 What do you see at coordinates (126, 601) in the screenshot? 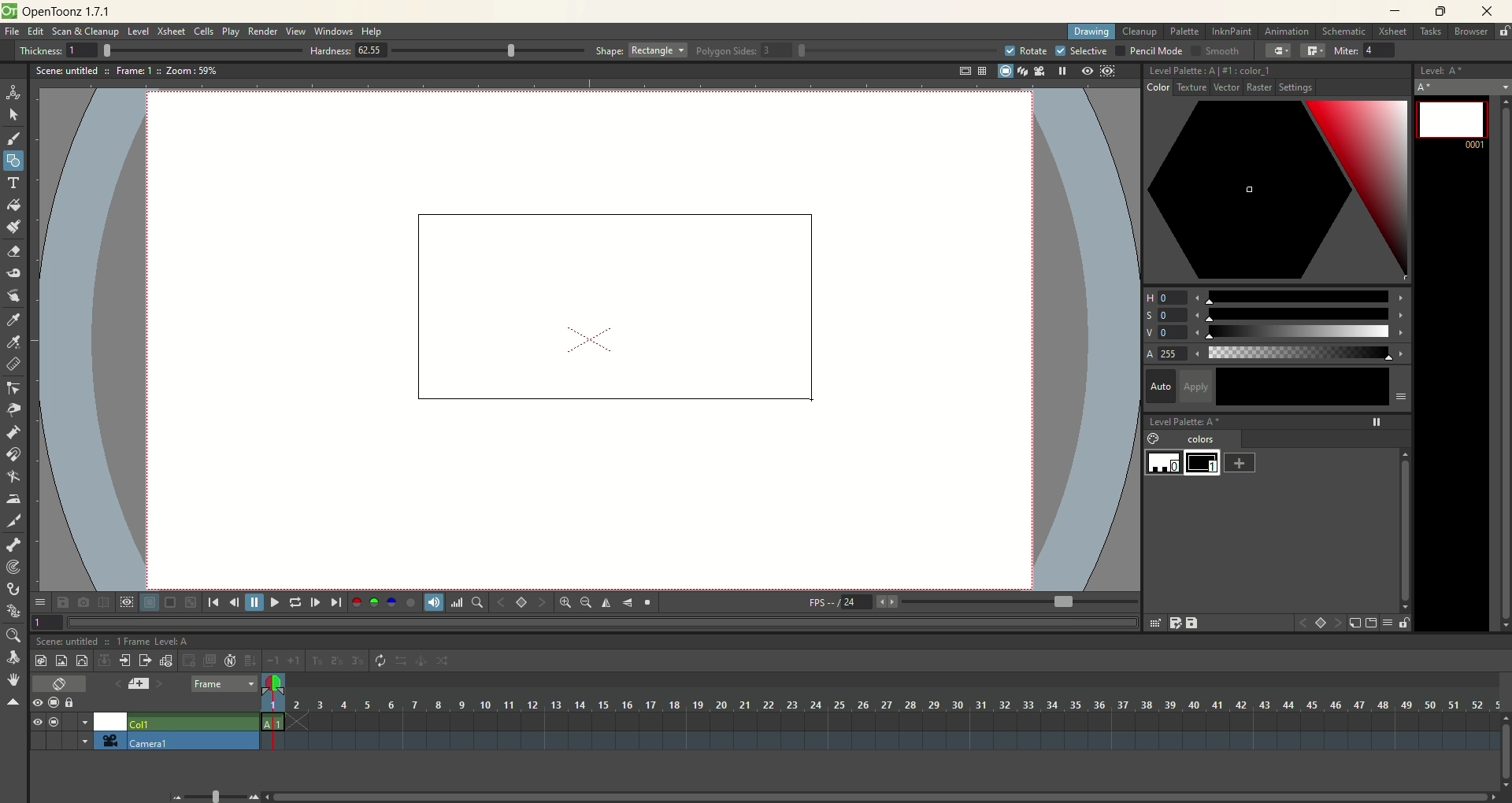
I see `define sub-camera` at bounding box center [126, 601].